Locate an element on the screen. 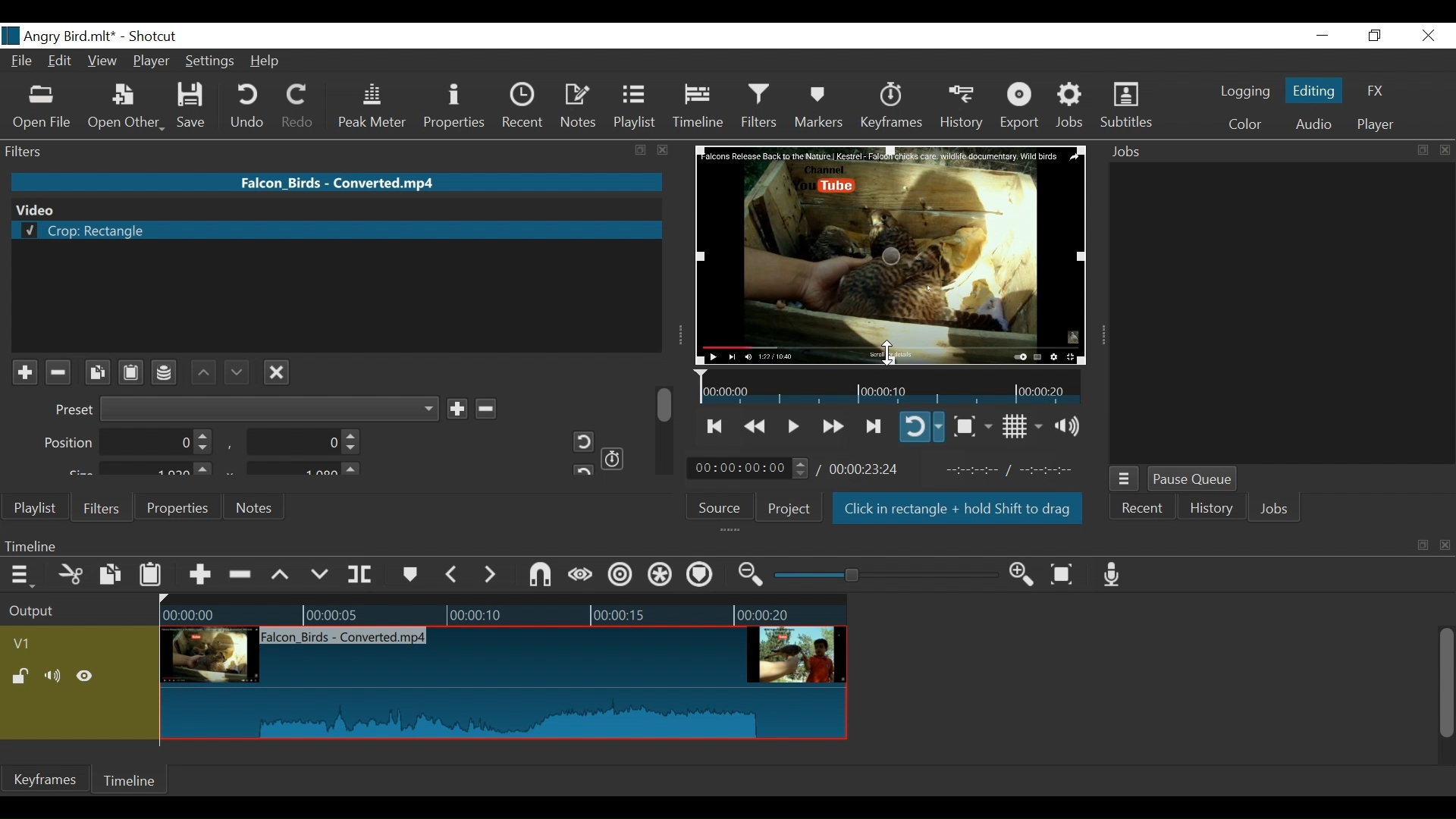 This screenshot has height=819, width=1456. Copy is located at coordinates (97, 372).